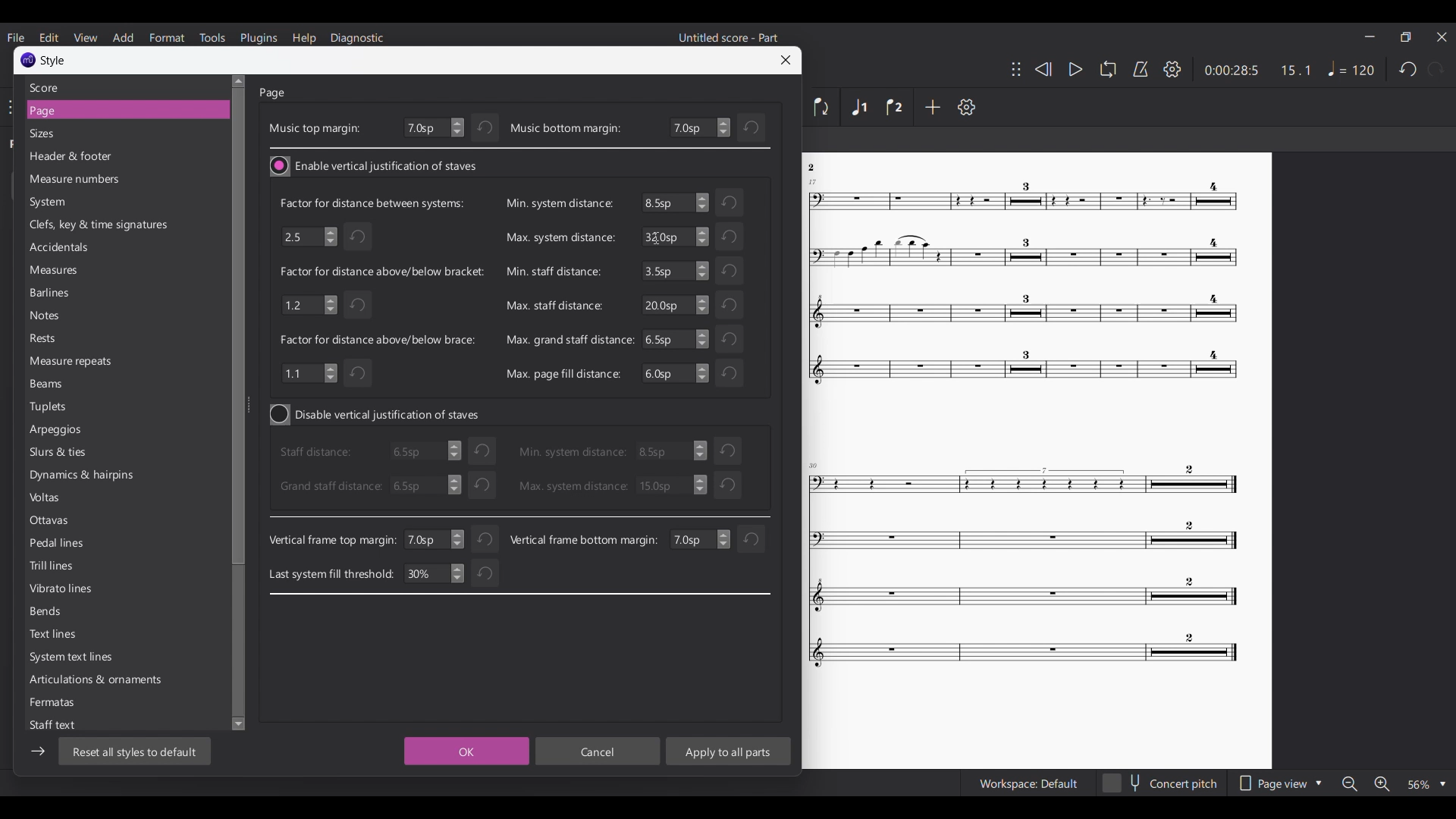  Describe the element at coordinates (486, 536) in the screenshot. I see `Undo` at that location.